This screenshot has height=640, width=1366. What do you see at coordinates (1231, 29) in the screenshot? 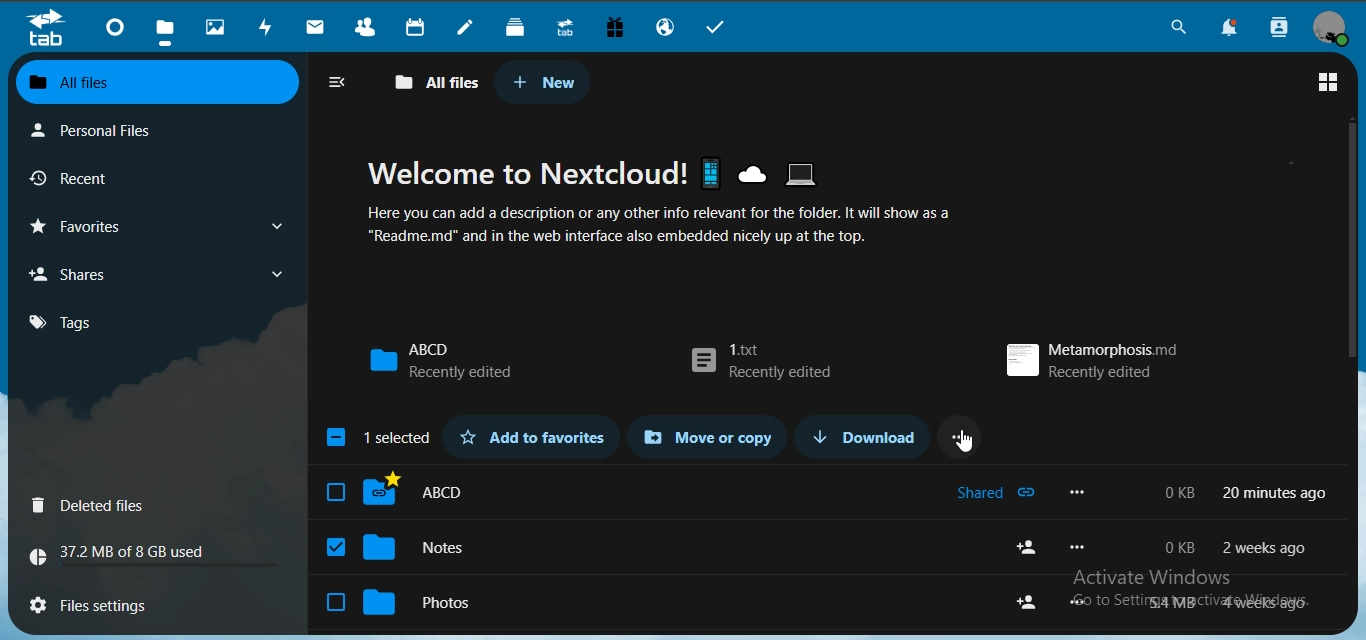
I see `notifications` at bounding box center [1231, 29].